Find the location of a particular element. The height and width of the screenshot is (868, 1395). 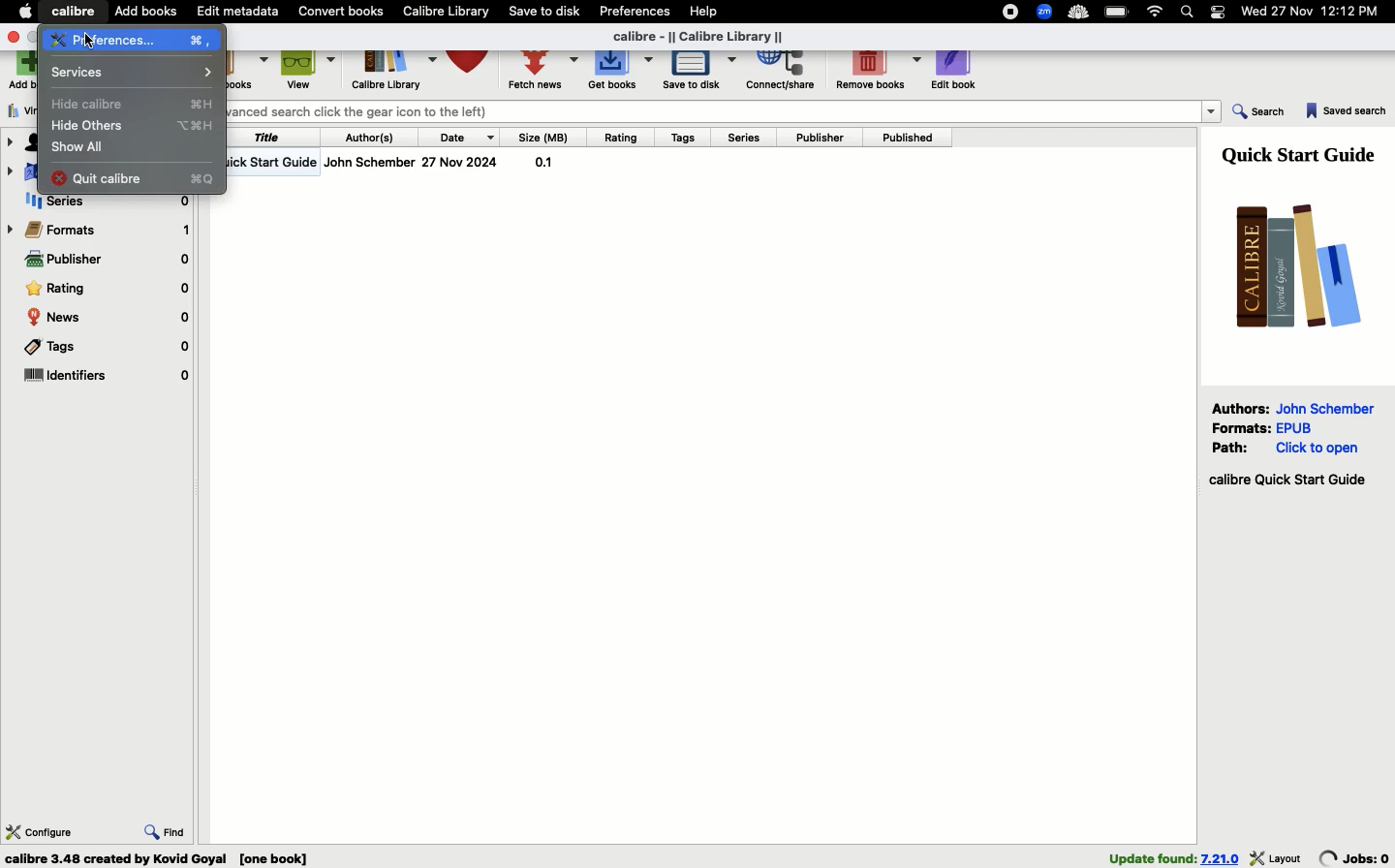

Hide others is located at coordinates (133, 124).